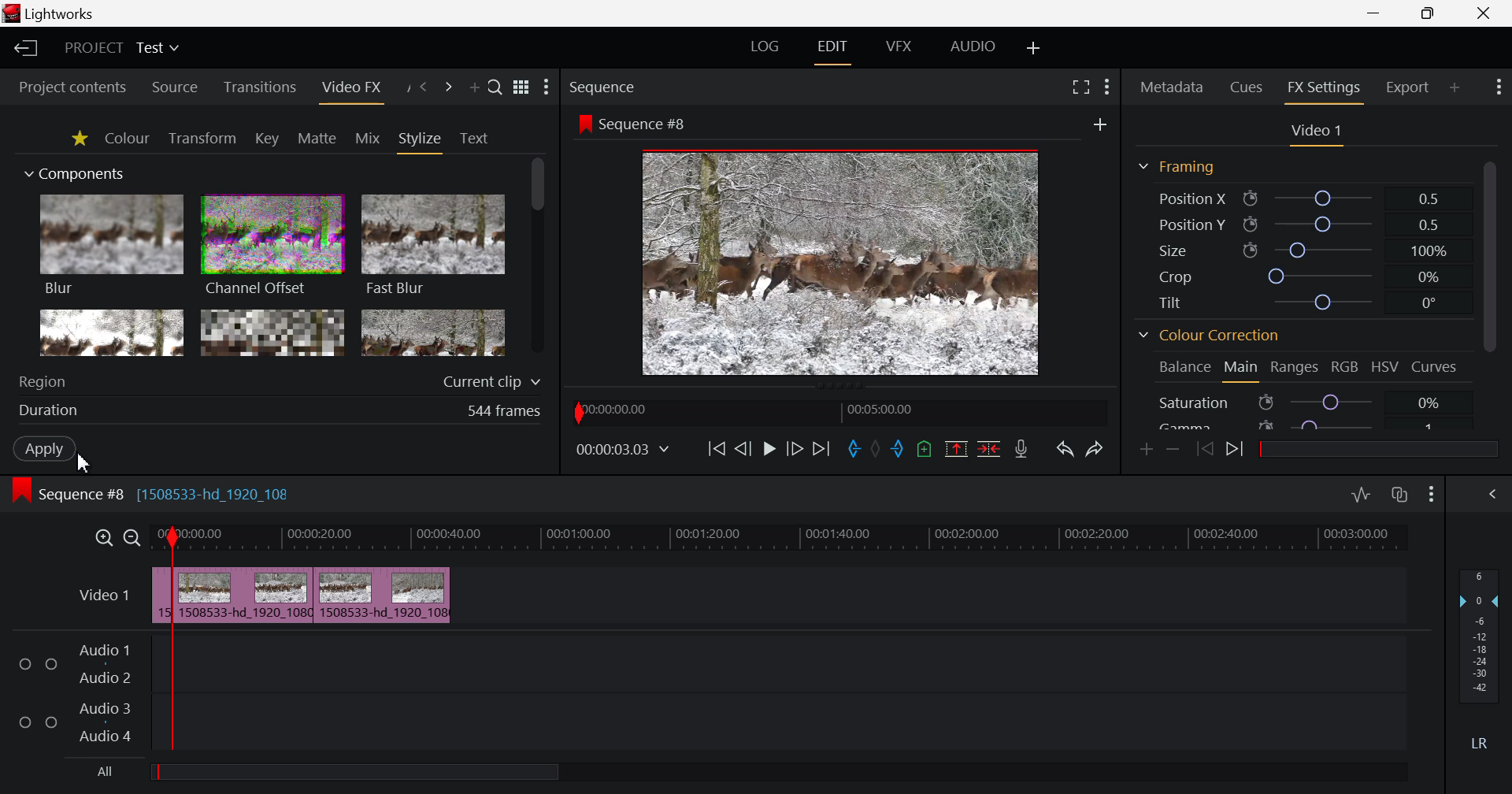 Image resolution: width=1512 pixels, height=794 pixels. What do you see at coordinates (113, 247) in the screenshot?
I see `Blur` at bounding box center [113, 247].